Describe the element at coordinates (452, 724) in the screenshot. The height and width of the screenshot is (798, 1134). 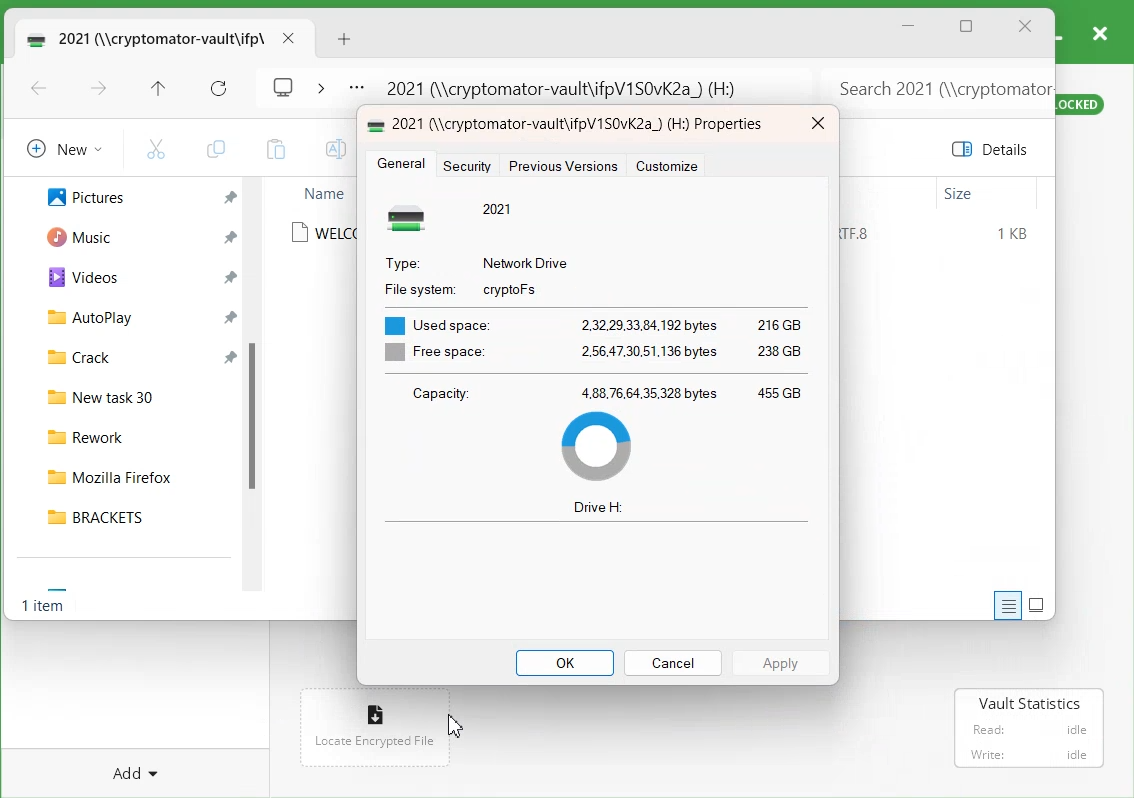
I see `cursor` at that location.